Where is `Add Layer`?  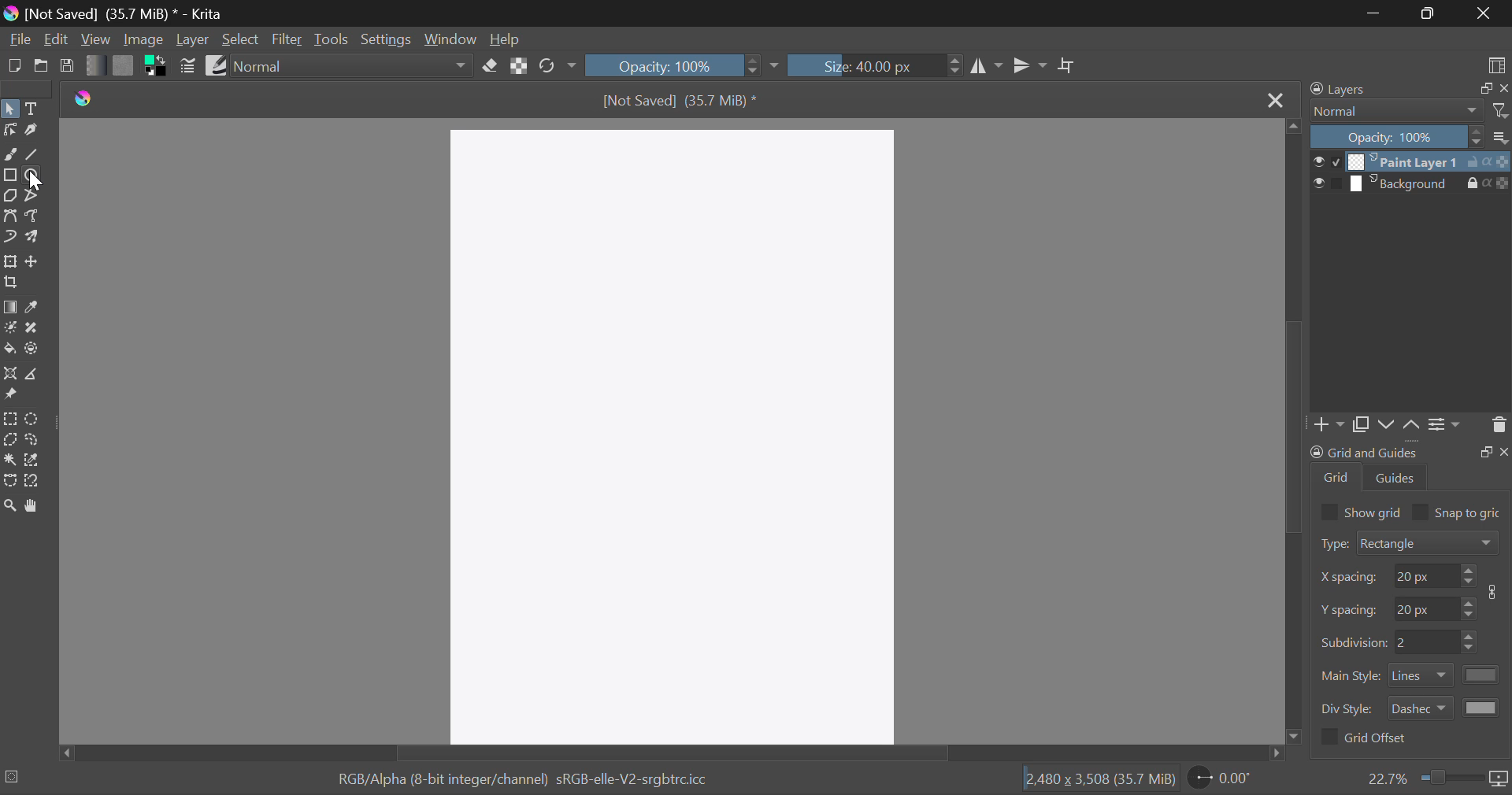 Add Layer is located at coordinates (1331, 426).